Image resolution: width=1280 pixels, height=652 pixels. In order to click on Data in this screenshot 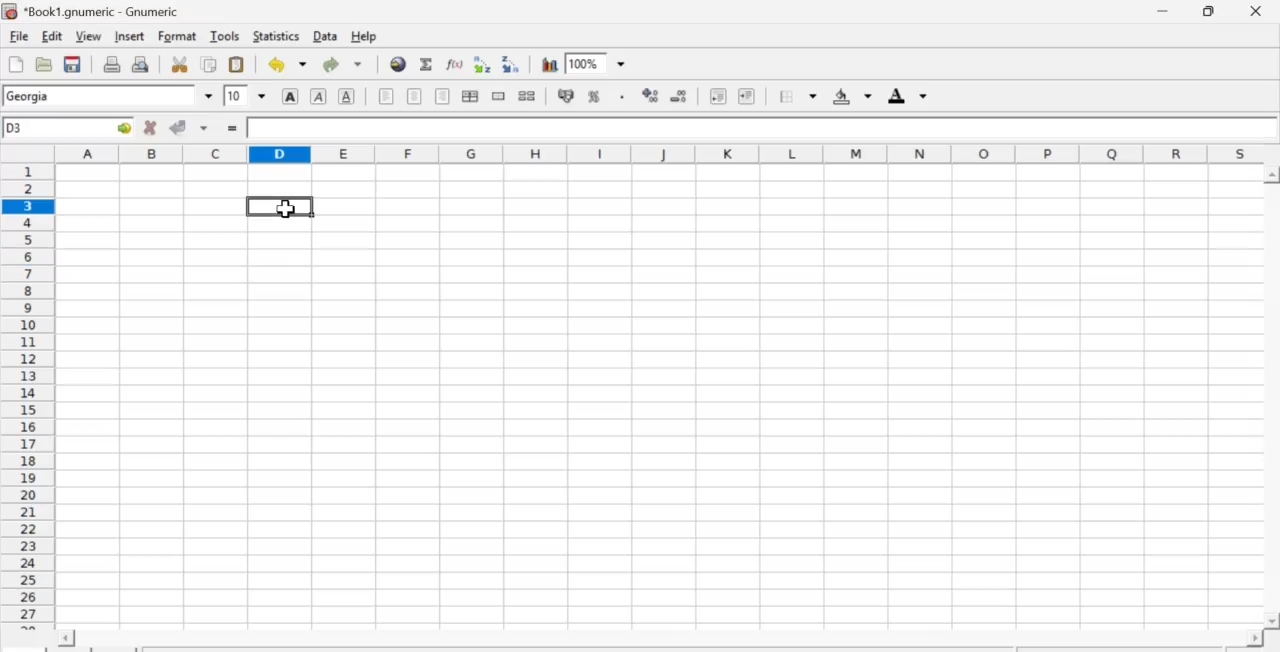, I will do `click(326, 36)`.